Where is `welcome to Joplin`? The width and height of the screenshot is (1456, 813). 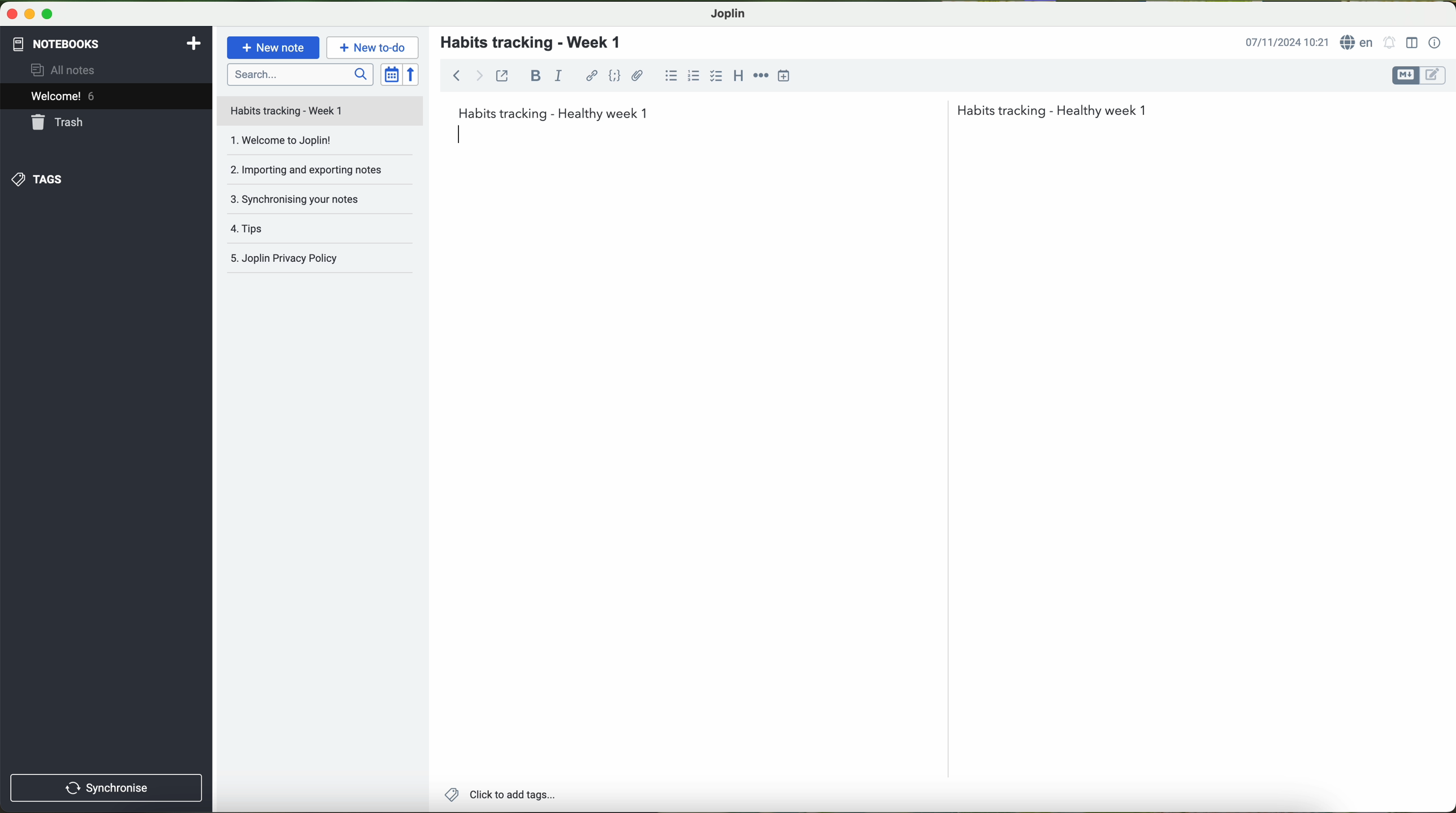
welcome to Joplin is located at coordinates (319, 145).